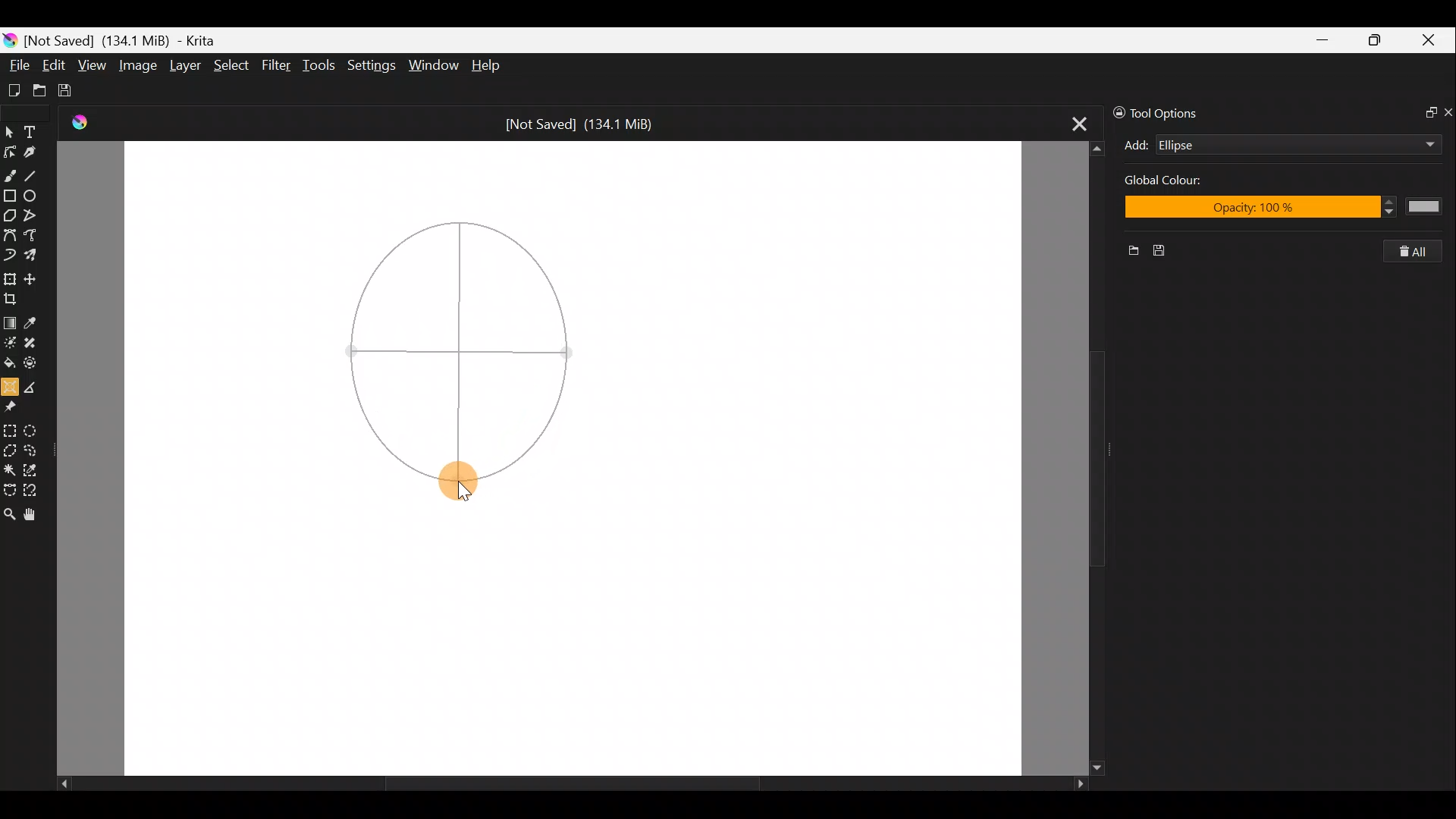 The image size is (1456, 819). What do you see at coordinates (487, 66) in the screenshot?
I see `Help` at bounding box center [487, 66].